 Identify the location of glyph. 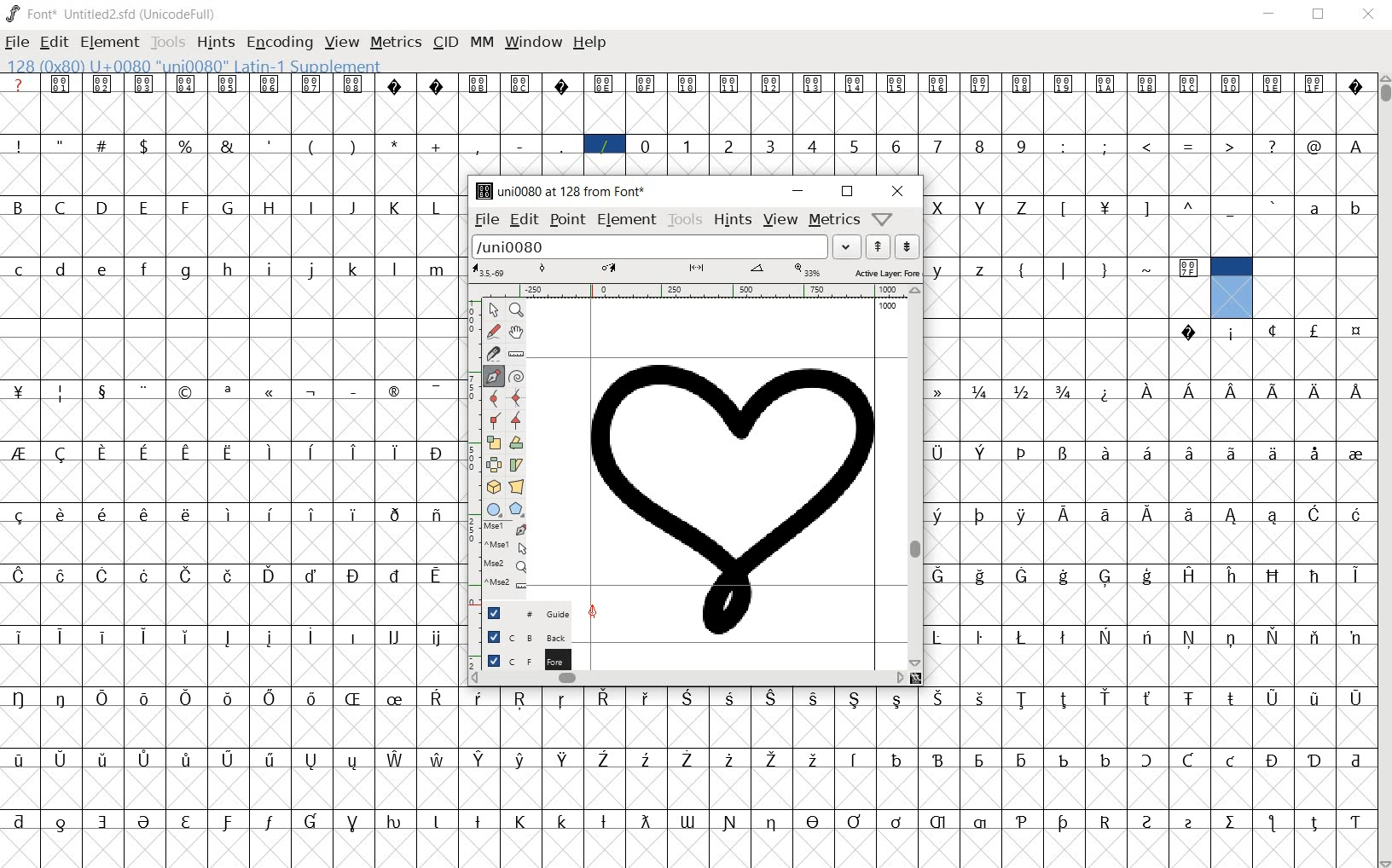
(561, 700).